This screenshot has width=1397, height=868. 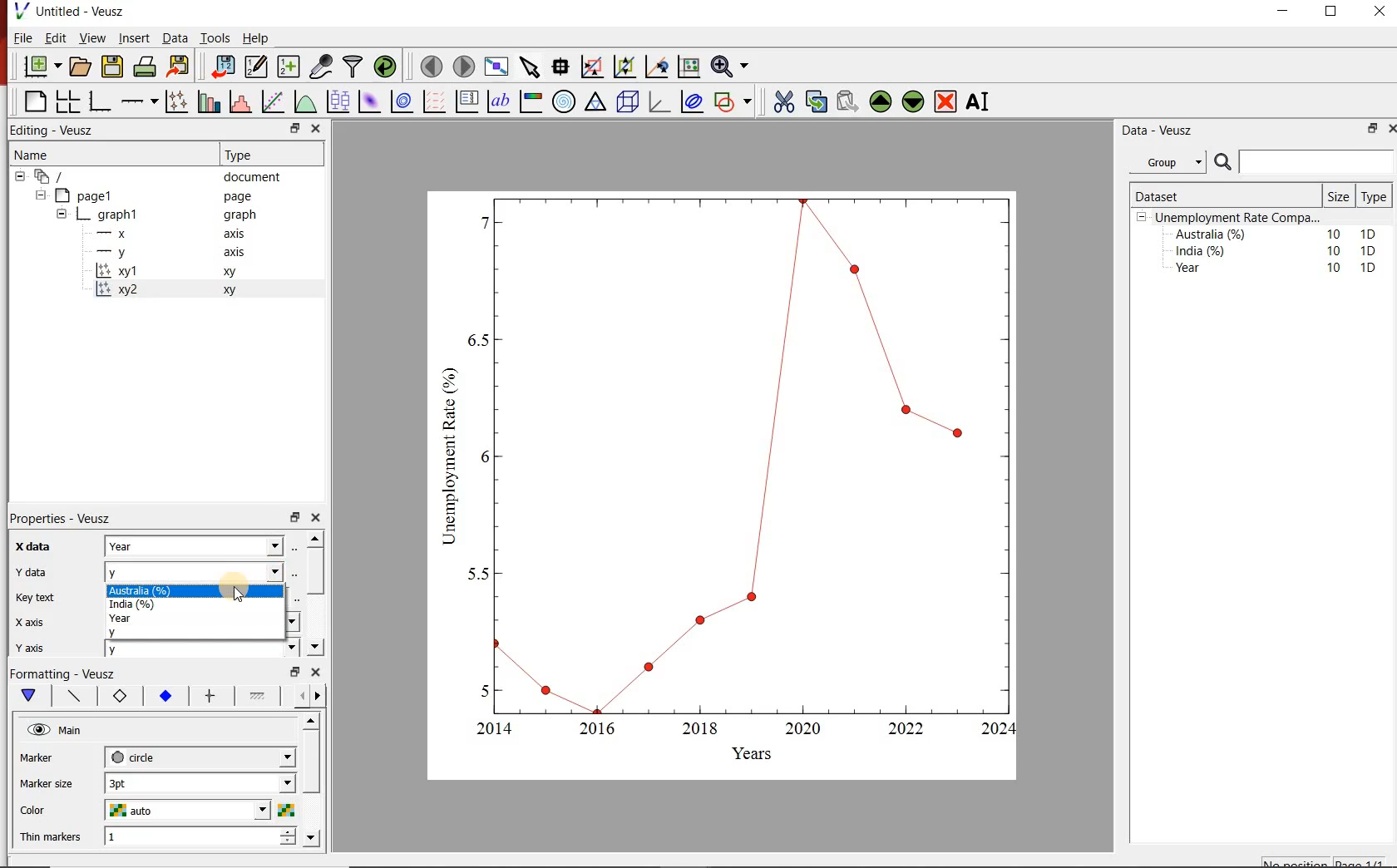 I want to click on Data - Veusz, so click(x=1173, y=131).